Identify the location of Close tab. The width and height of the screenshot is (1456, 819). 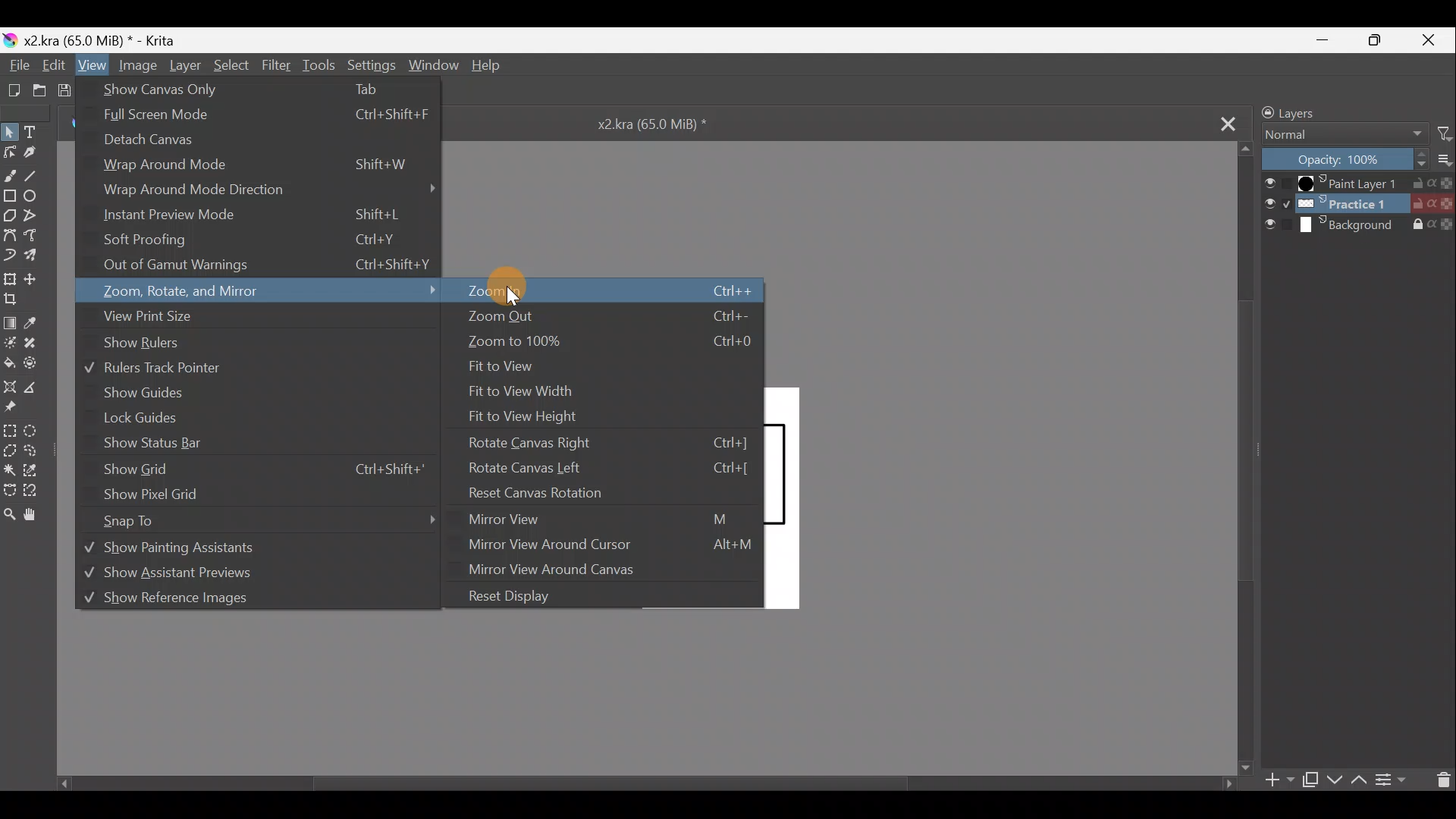
(1225, 122).